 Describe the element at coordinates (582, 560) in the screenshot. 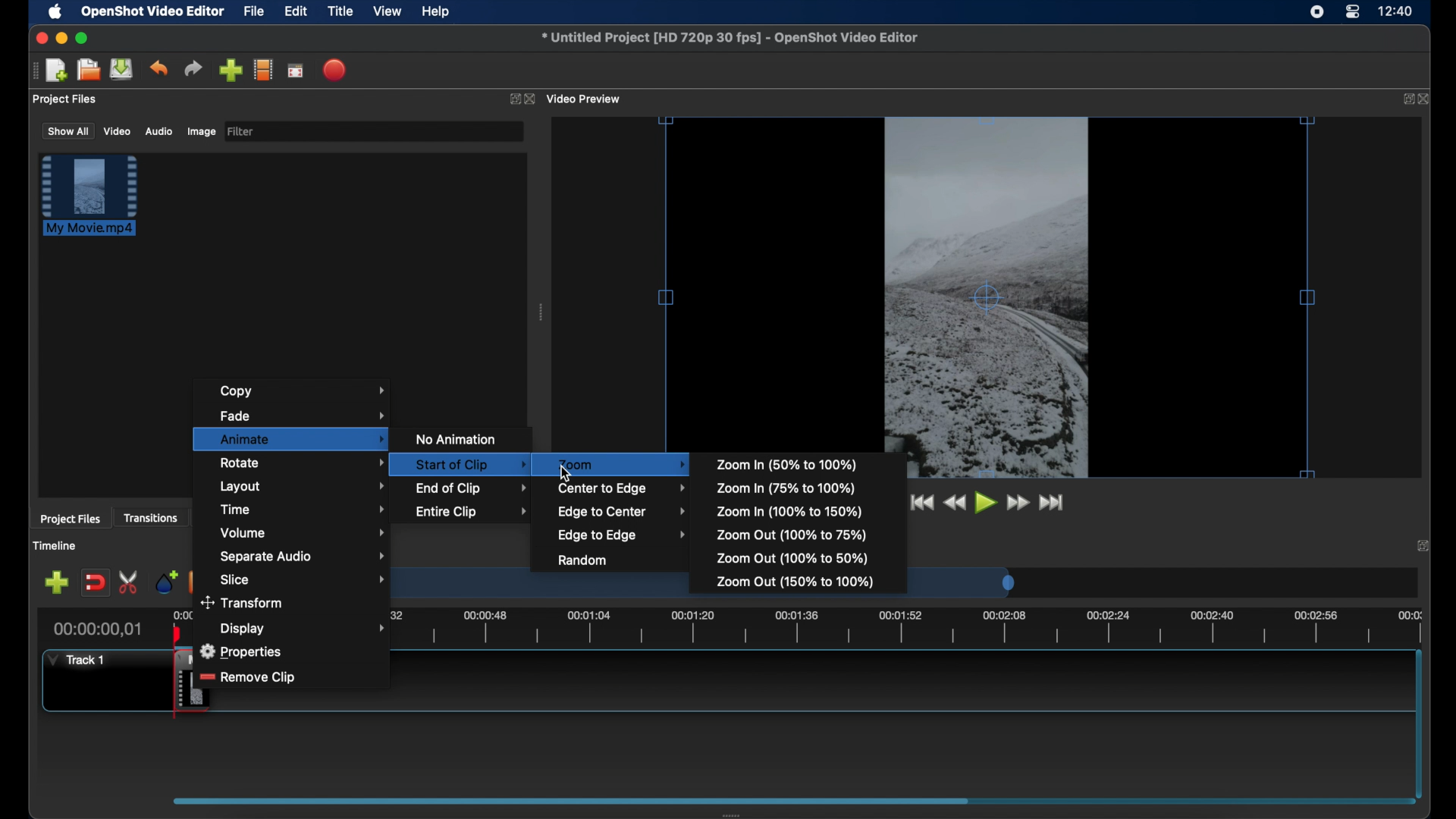

I see `random` at that location.